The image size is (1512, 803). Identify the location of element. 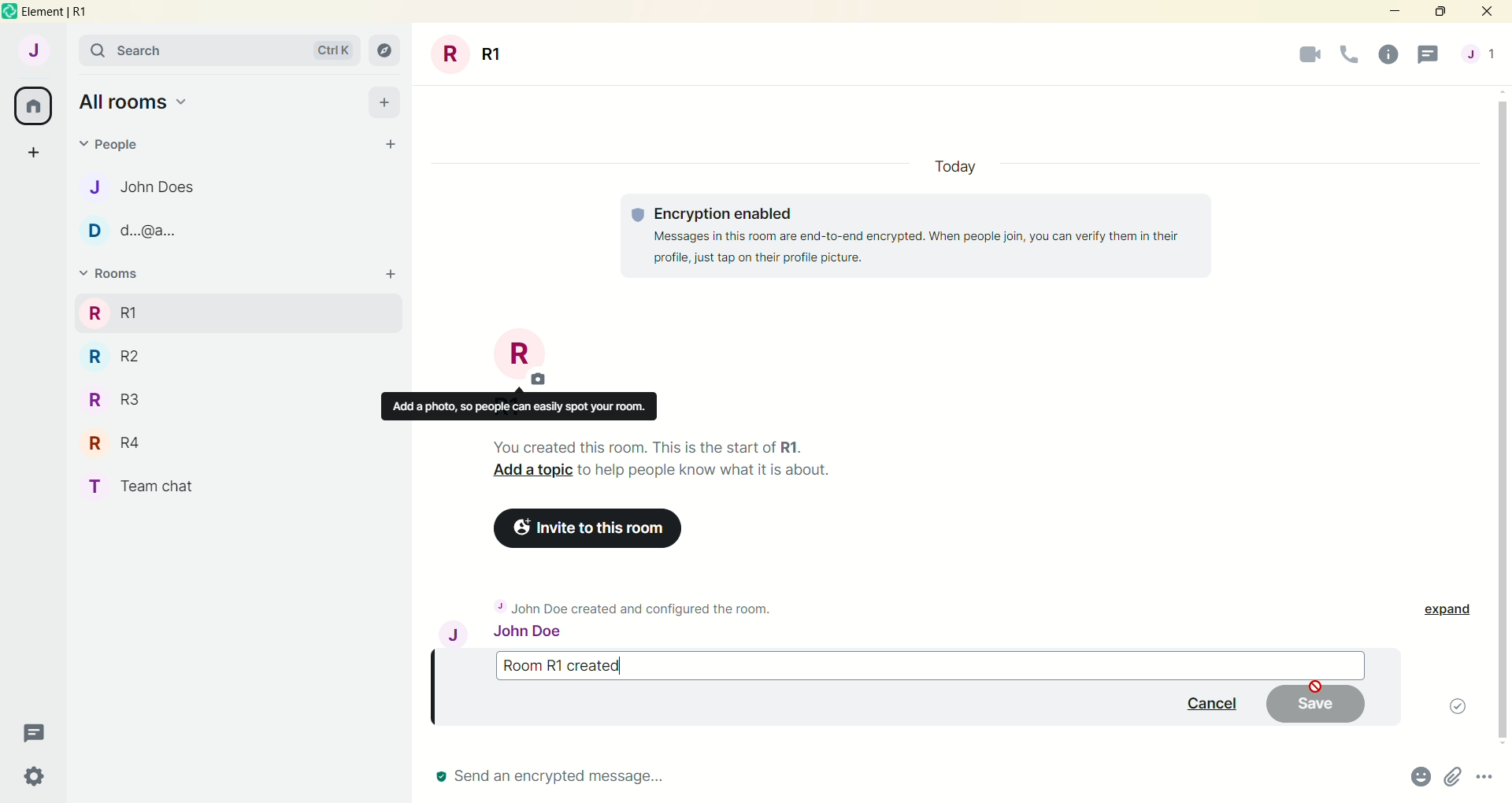
(69, 13).